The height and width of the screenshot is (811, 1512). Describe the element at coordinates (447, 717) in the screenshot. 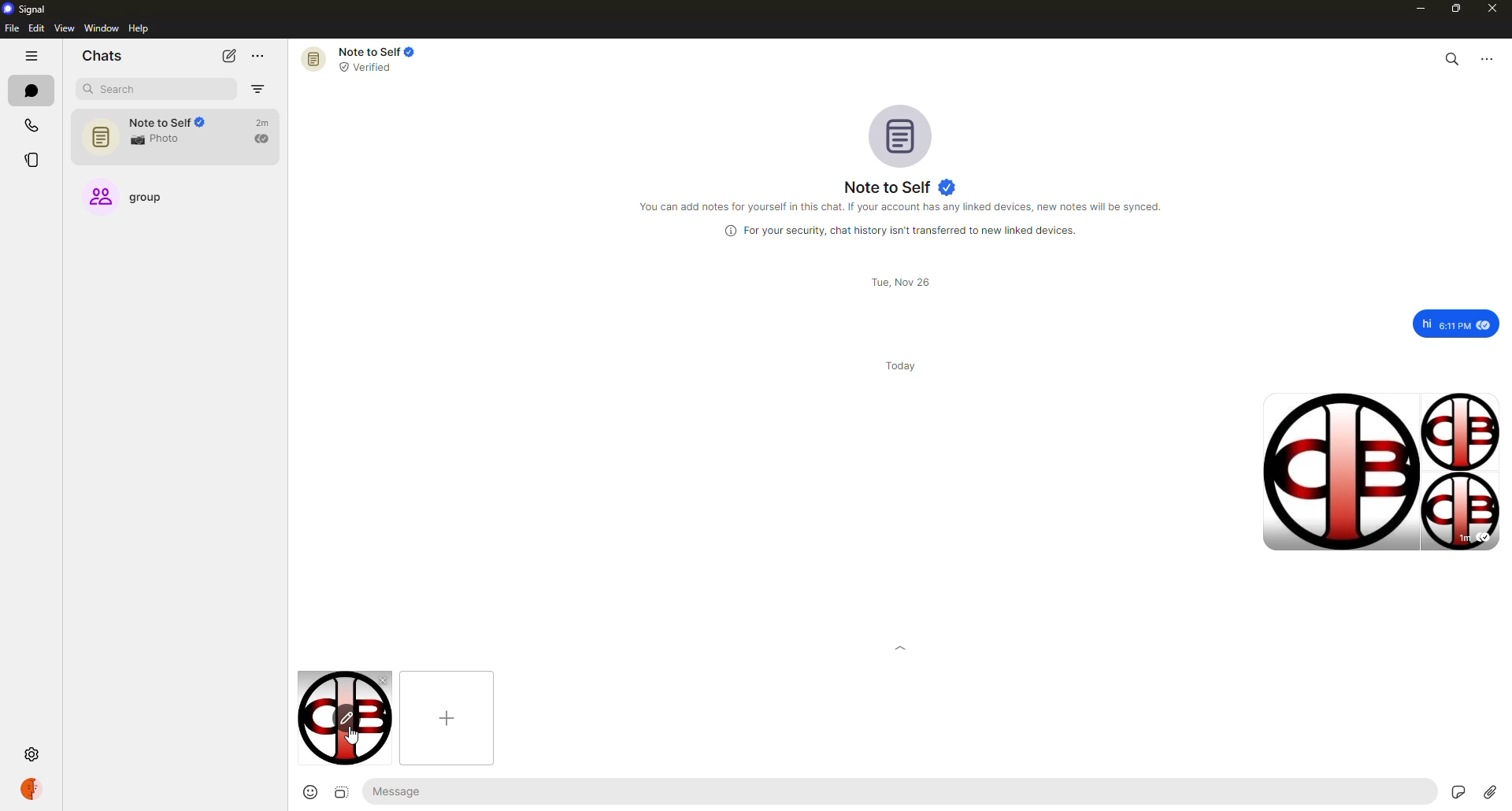

I see `add image` at that location.